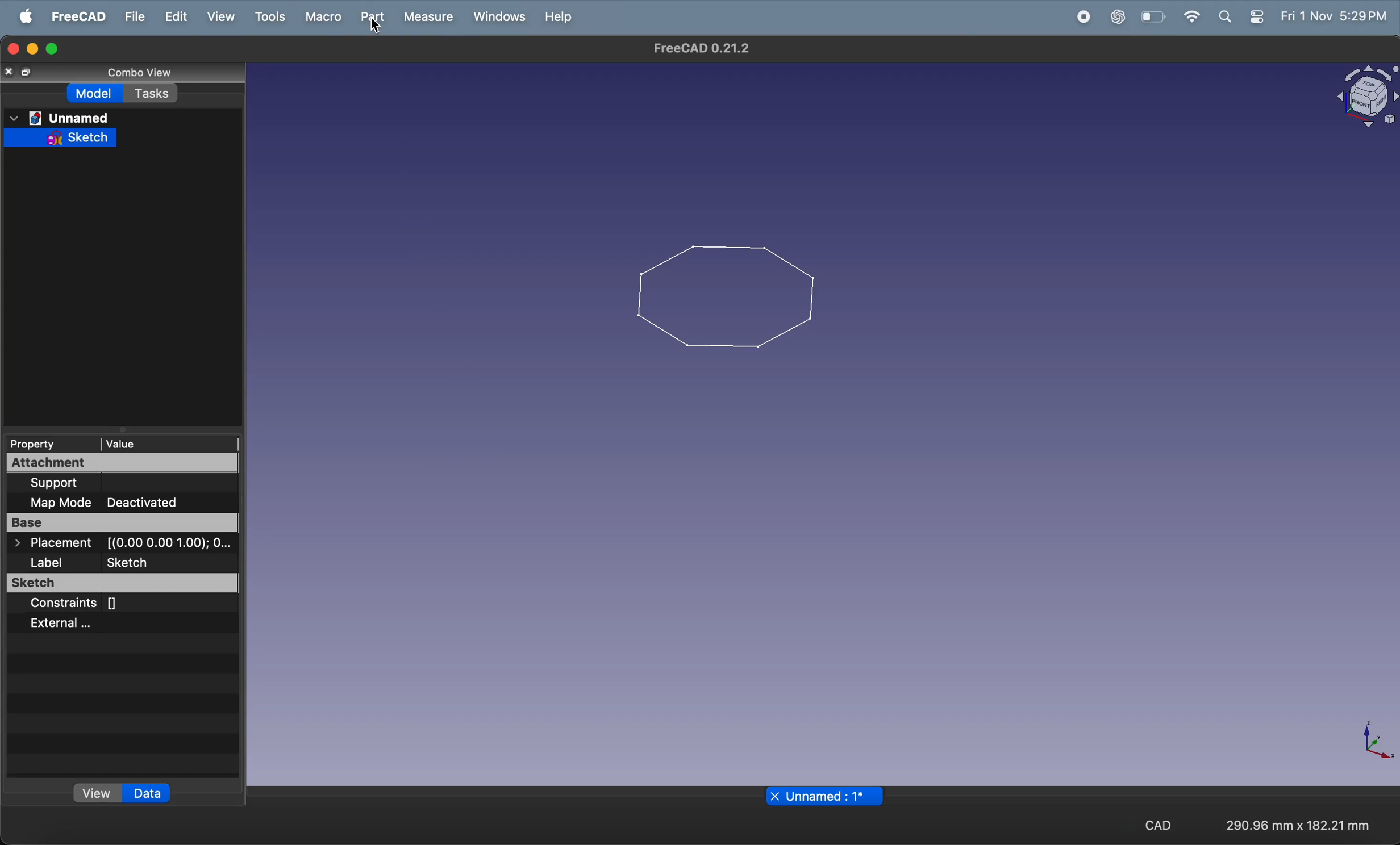 This screenshot has width=1400, height=845. What do you see at coordinates (145, 794) in the screenshot?
I see `data` at bounding box center [145, 794].